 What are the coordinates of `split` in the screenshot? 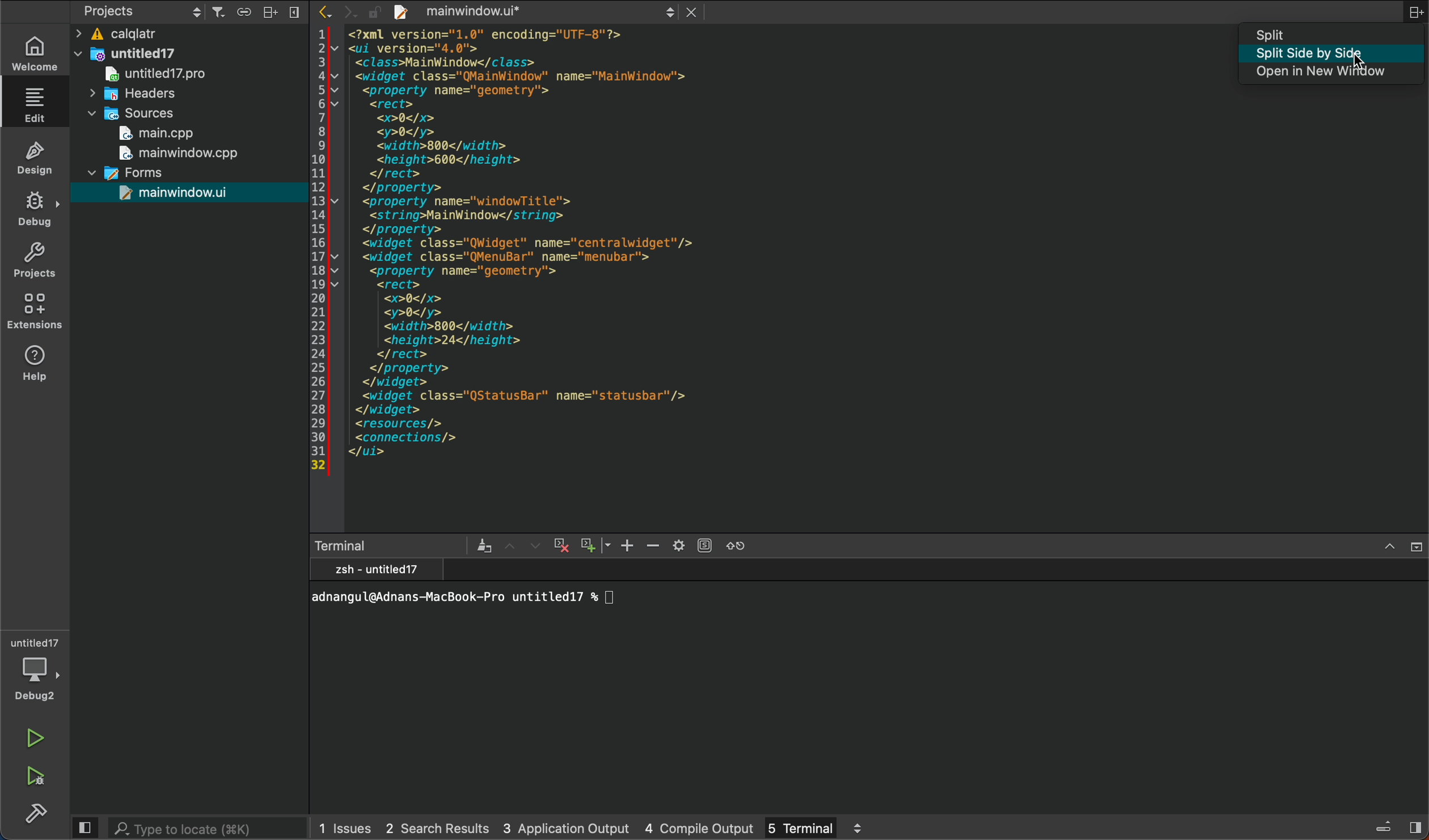 It's located at (1415, 12).